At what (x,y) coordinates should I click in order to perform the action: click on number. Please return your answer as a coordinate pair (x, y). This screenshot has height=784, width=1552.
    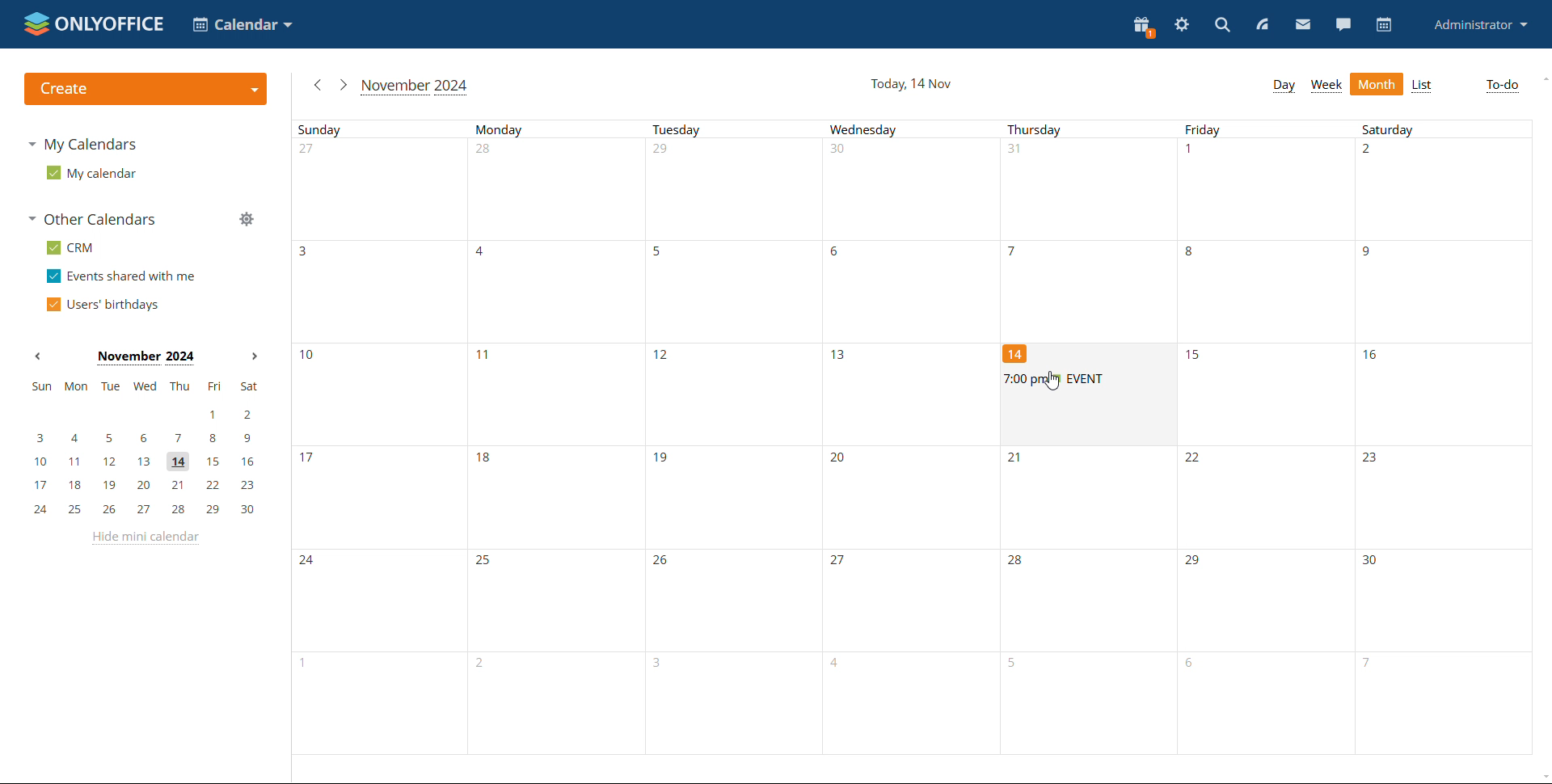
    Looking at the image, I should click on (1019, 563).